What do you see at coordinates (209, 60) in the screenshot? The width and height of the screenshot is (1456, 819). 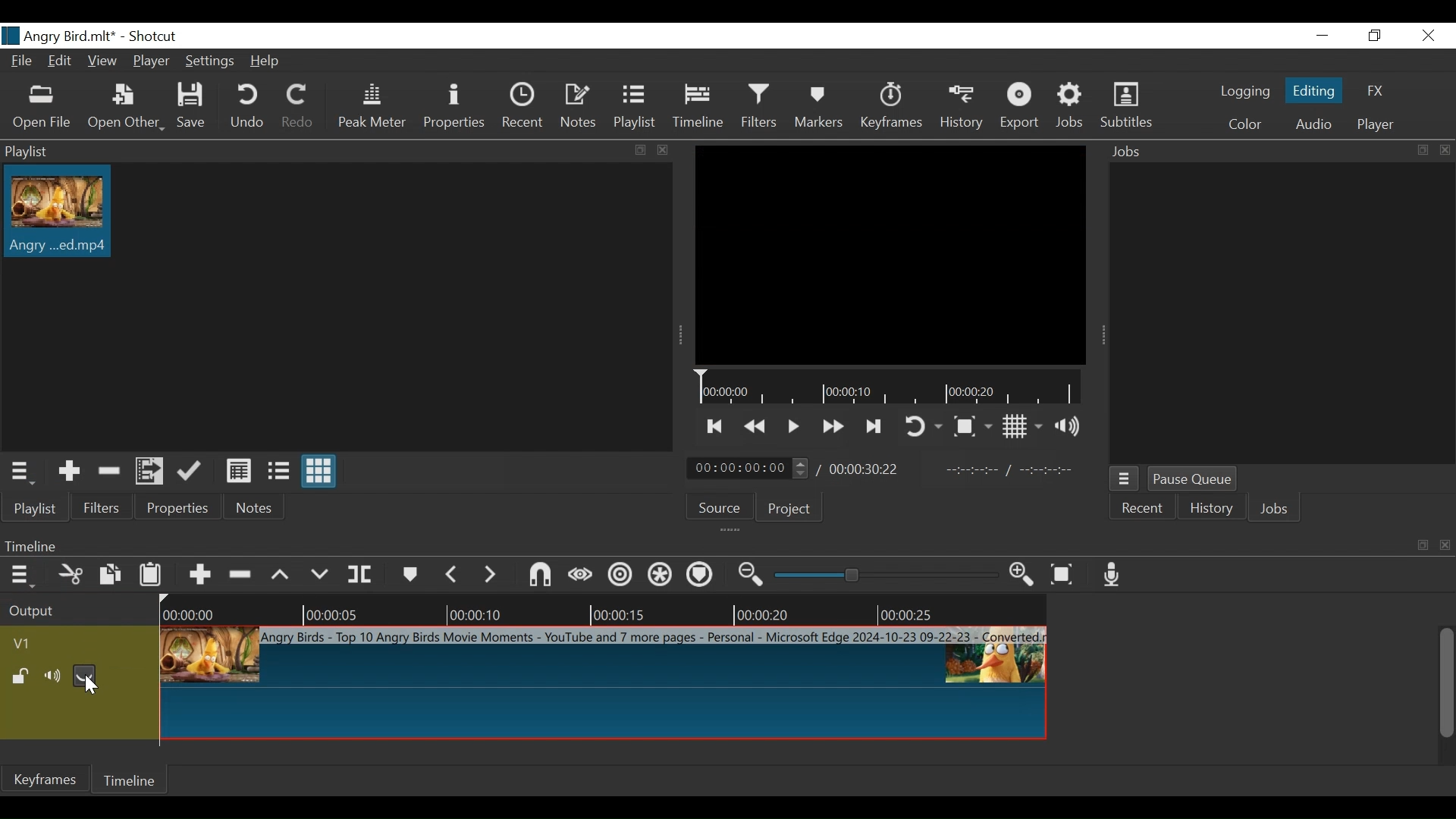 I see `Settings` at bounding box center [209, 60].